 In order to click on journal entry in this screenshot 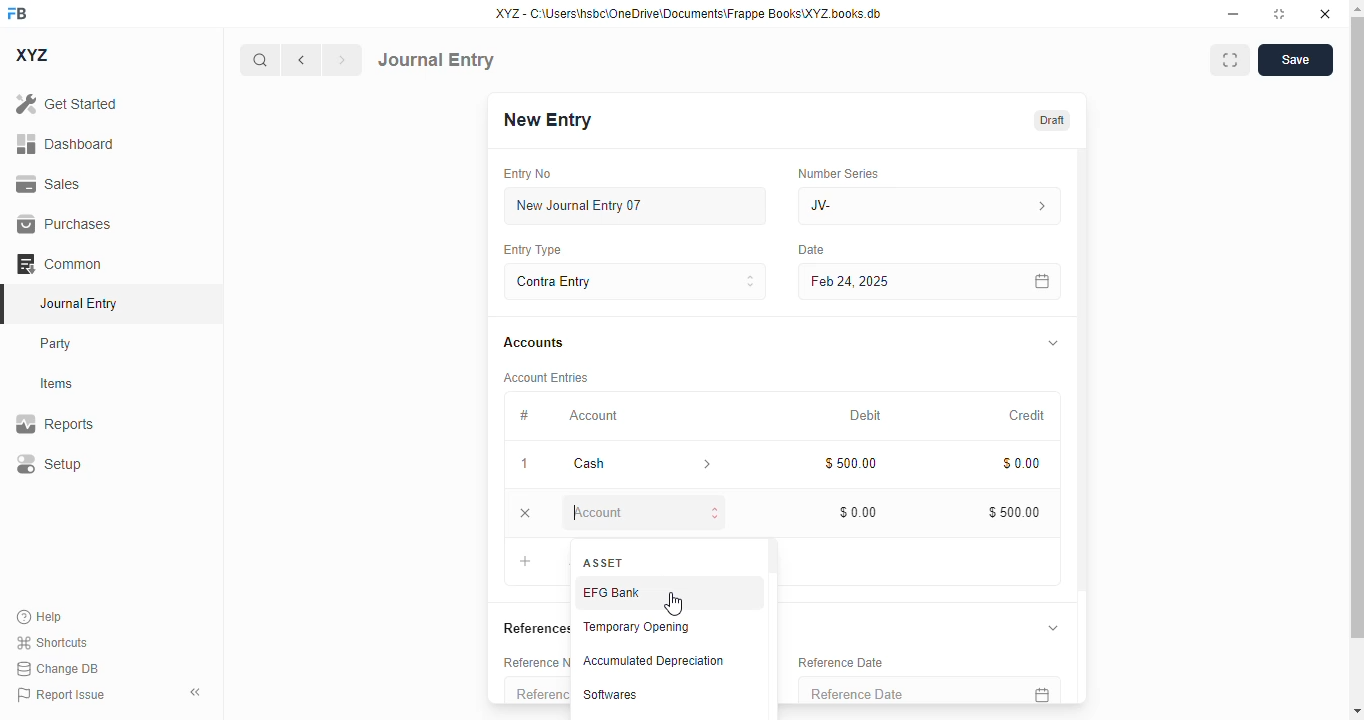, I will do `click(436, 60)`.